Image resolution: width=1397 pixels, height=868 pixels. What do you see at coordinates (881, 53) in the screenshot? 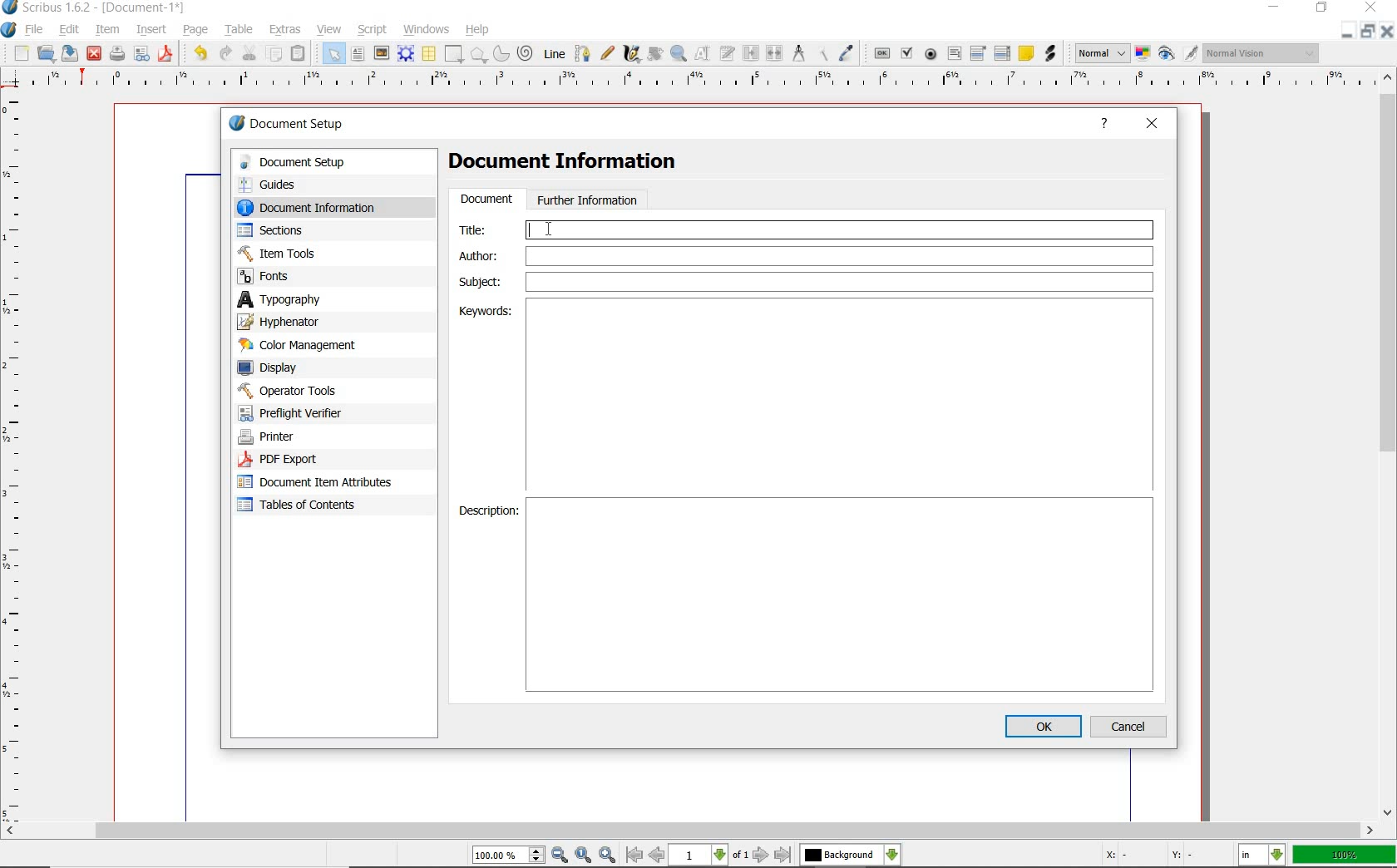
I see `pdf push button` at bounding box center [881, 53].